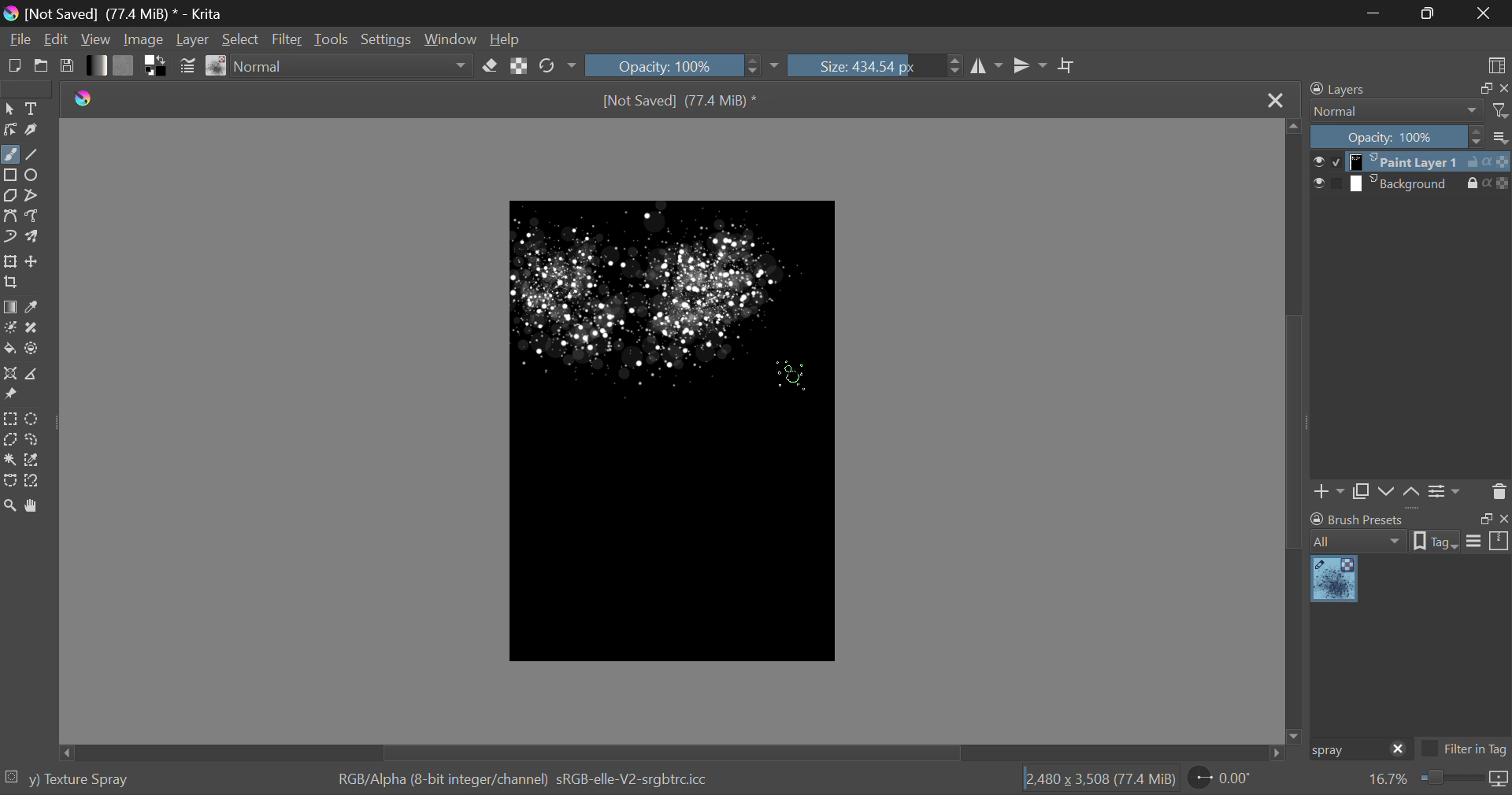  What do you see at coordinates (9, 349) in the screenshot?
I see `Fill` at bounding box center [9, 349].